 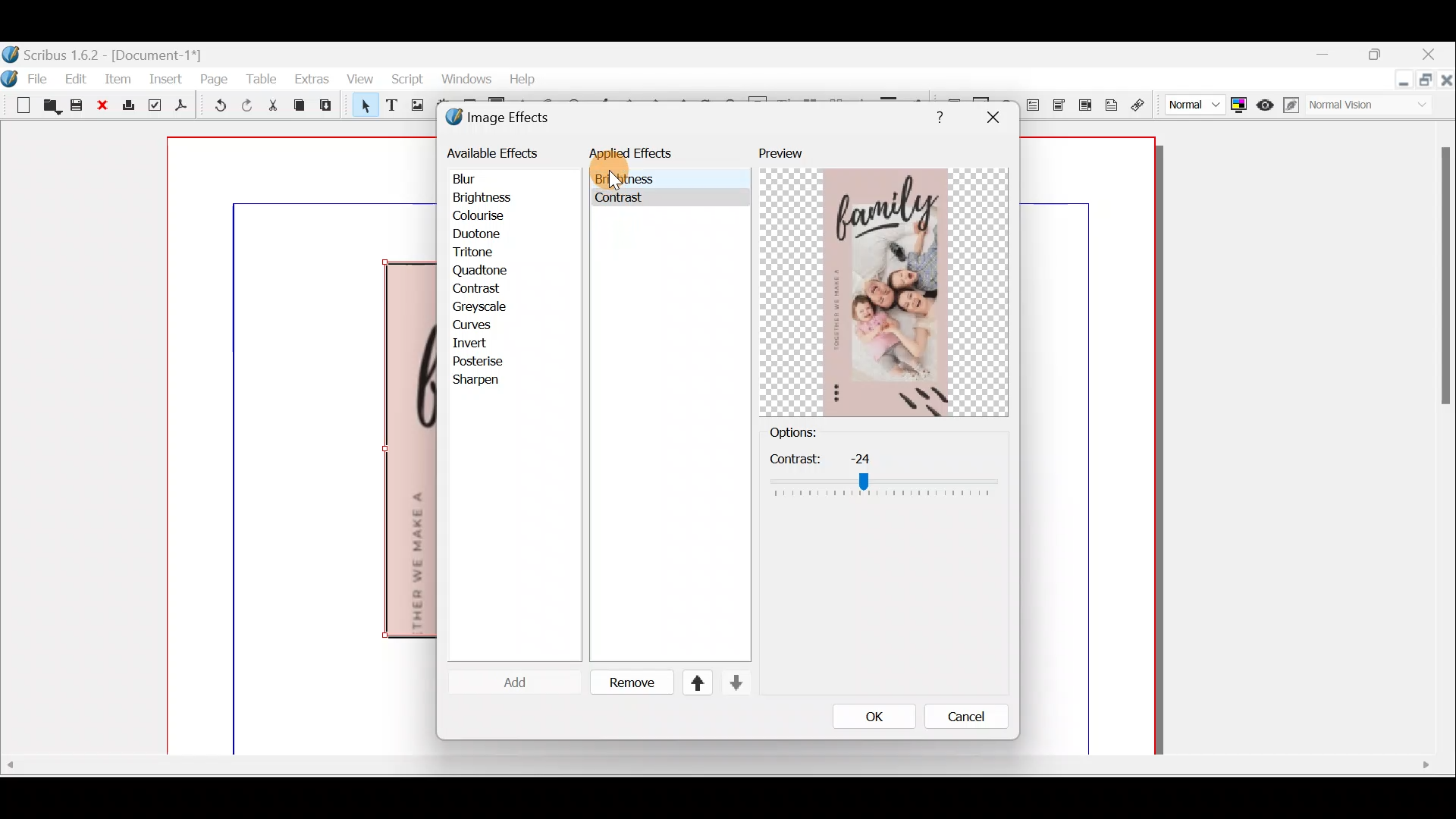 I want to click on , so click(x=936, y=115).